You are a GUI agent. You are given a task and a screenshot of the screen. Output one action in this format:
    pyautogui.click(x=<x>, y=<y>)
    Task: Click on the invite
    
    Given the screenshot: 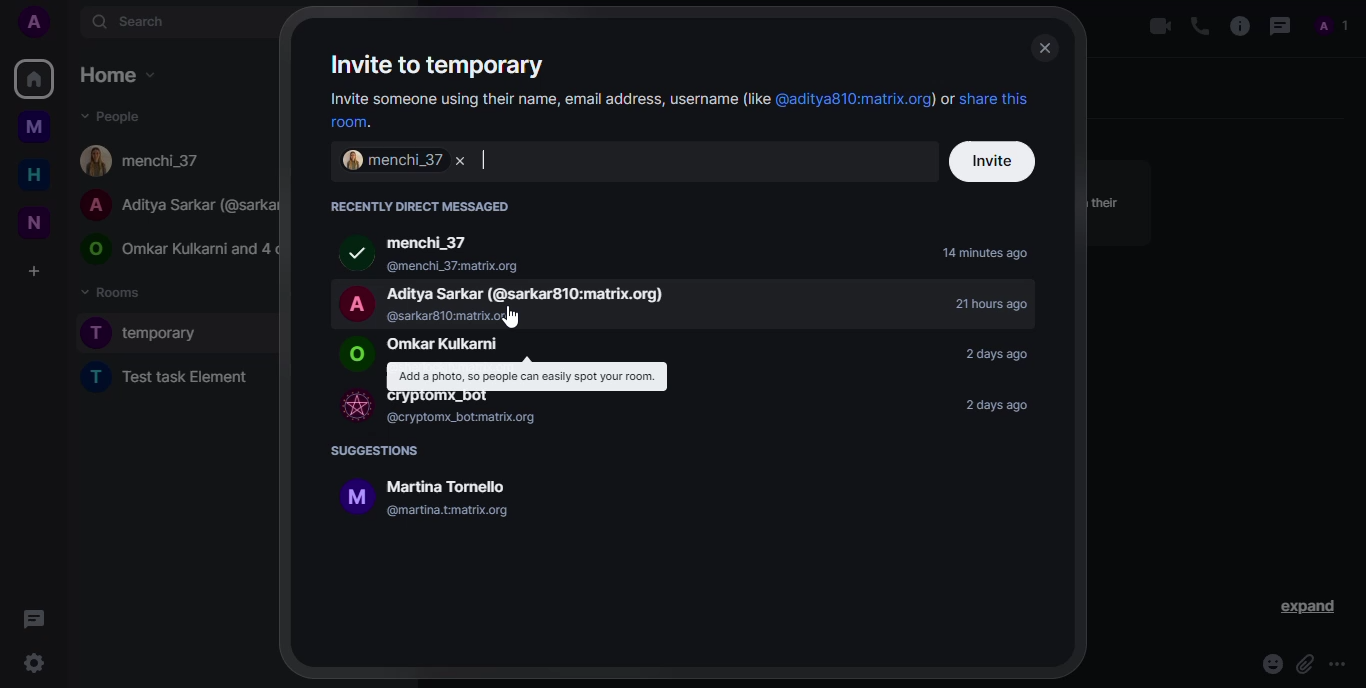 What is the action you would take?
    pyautogui.click(x=992, y=161)
    